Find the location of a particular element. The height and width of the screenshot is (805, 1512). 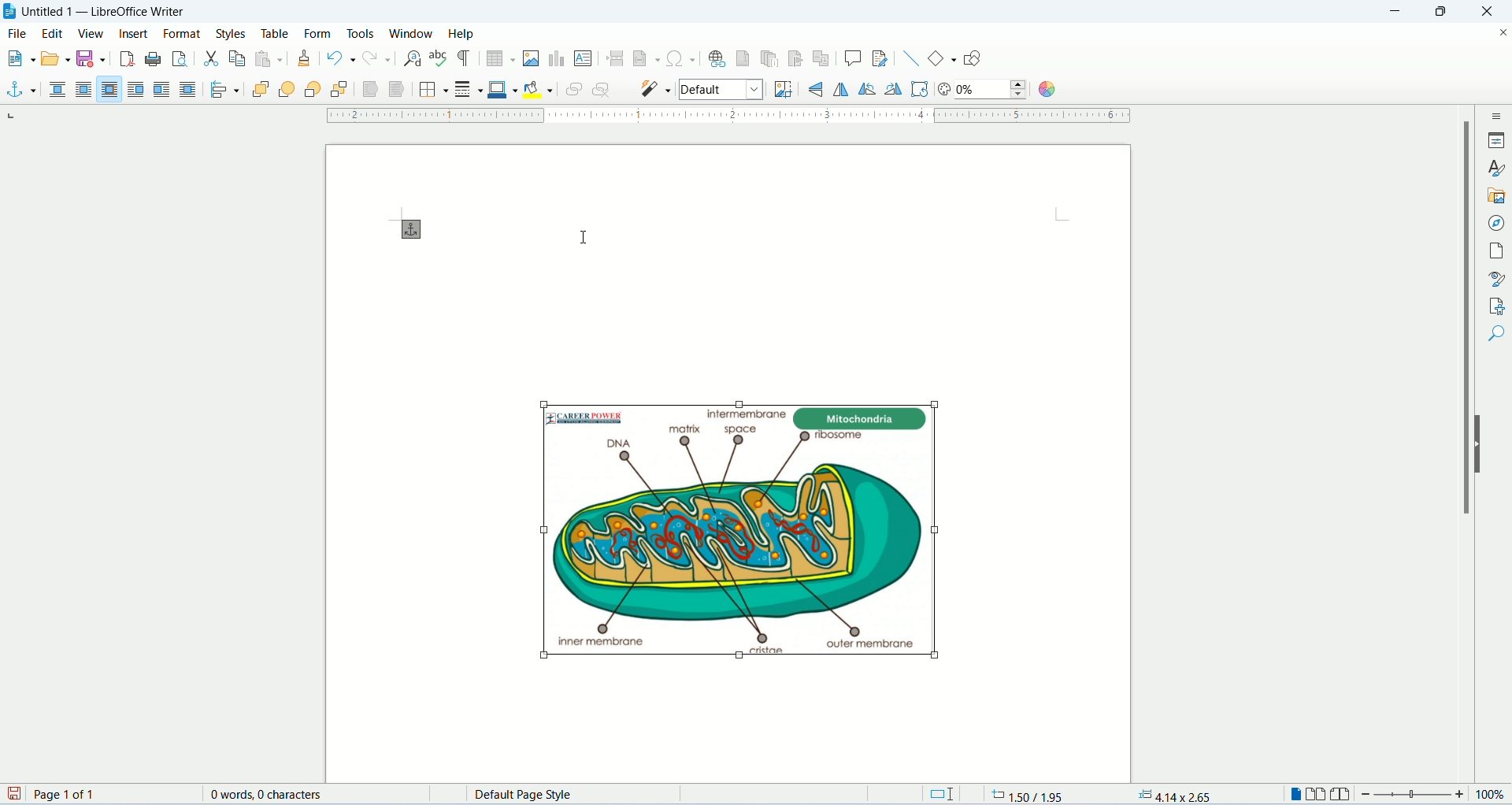

insert footnote is located at coordinates (744, 57).